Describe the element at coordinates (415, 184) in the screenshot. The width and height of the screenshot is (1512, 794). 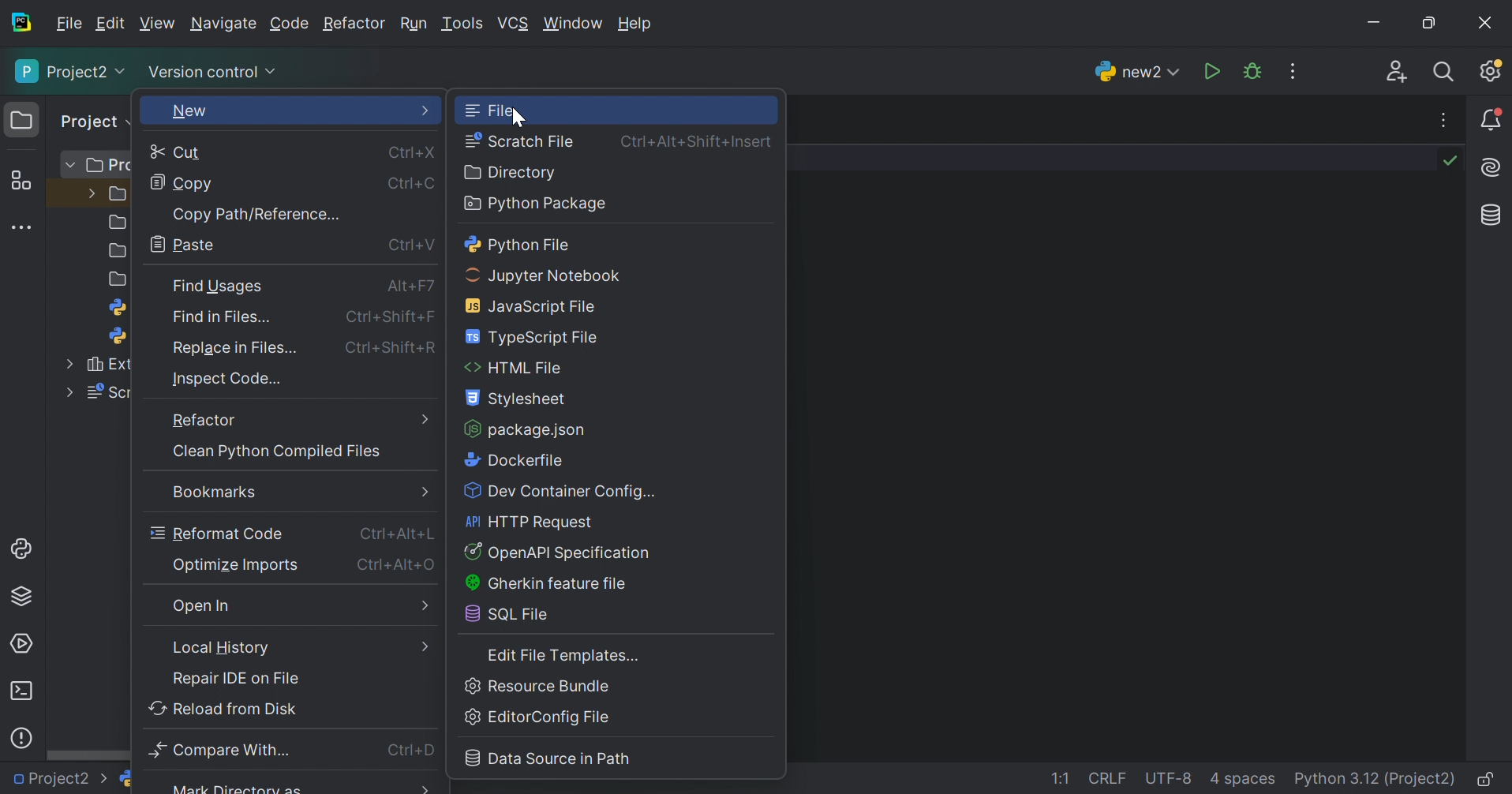
I see `Ctrl+C` at that location.